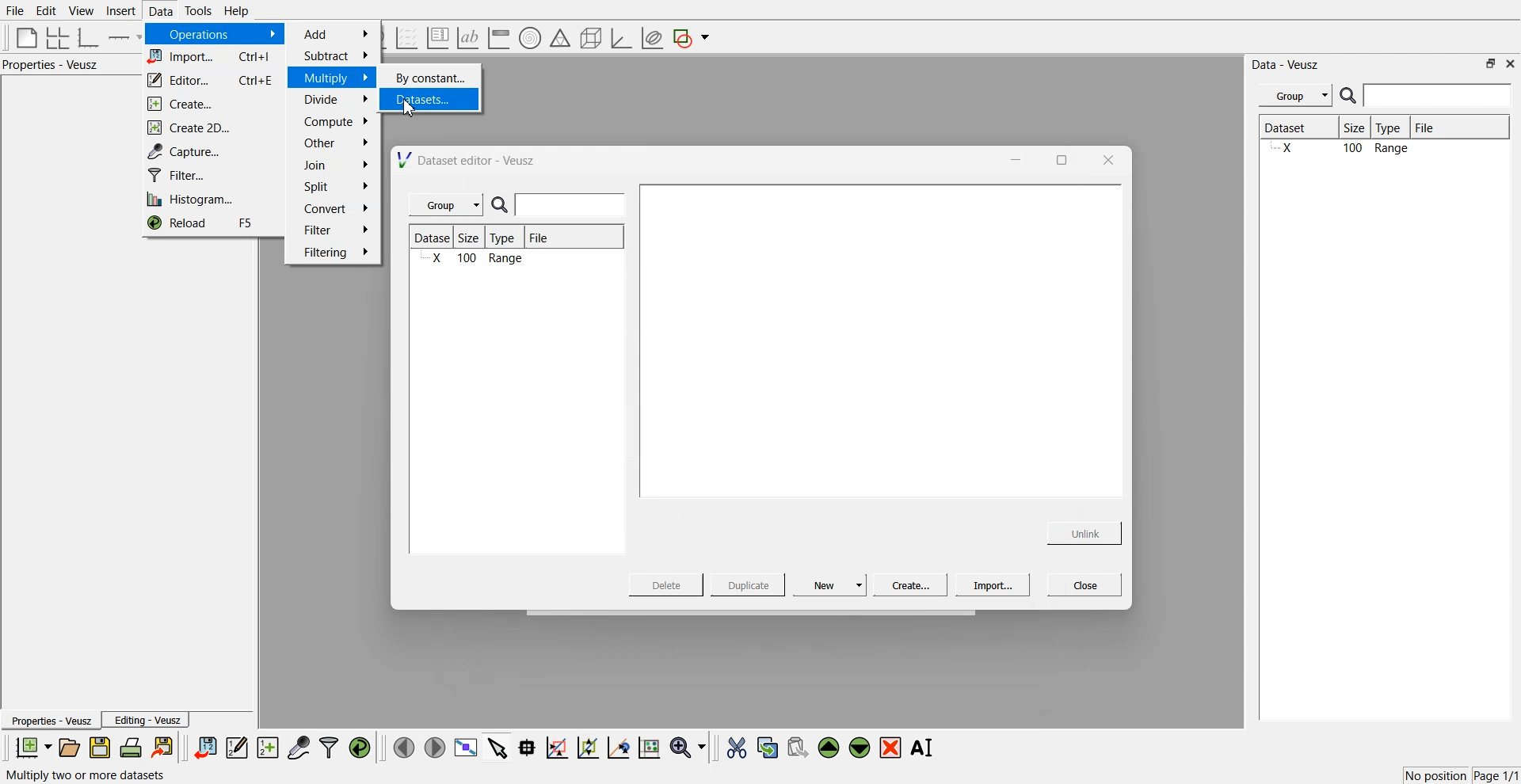 The image size is (1521, 784). I want to click on File, so click(16, 11).